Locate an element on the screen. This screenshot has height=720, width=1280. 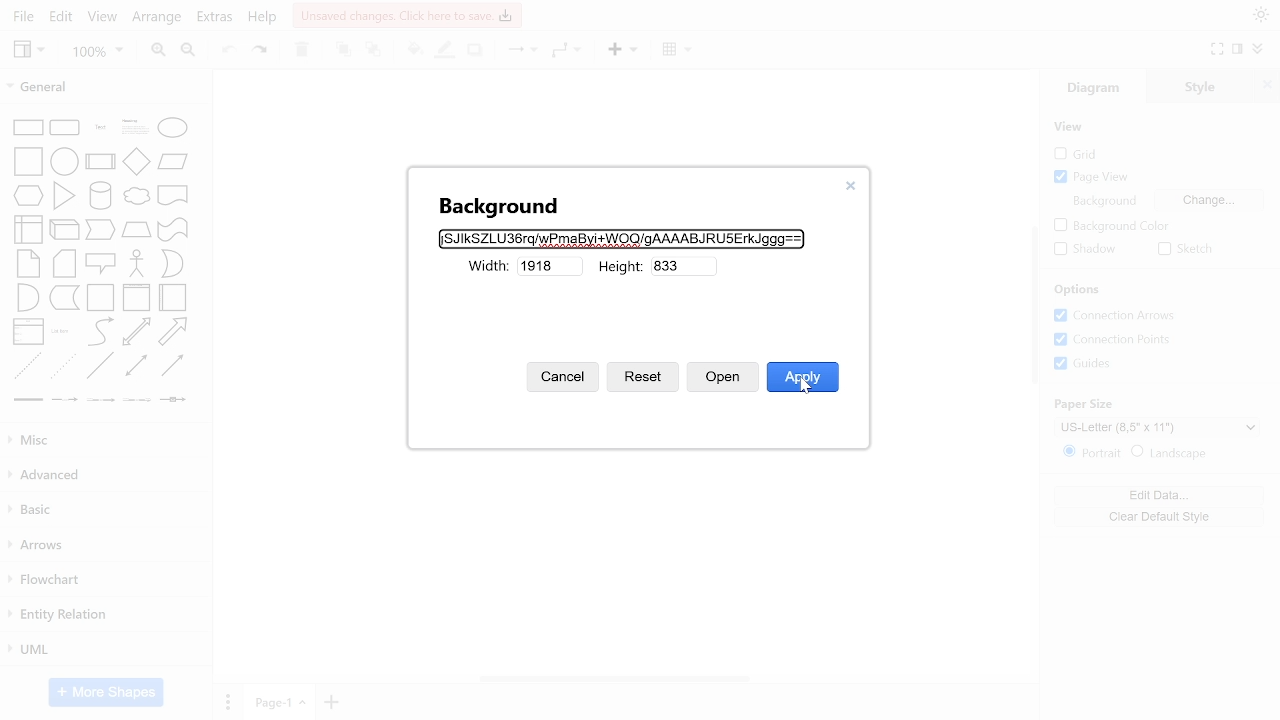
general is located at coordinates (98, 89).